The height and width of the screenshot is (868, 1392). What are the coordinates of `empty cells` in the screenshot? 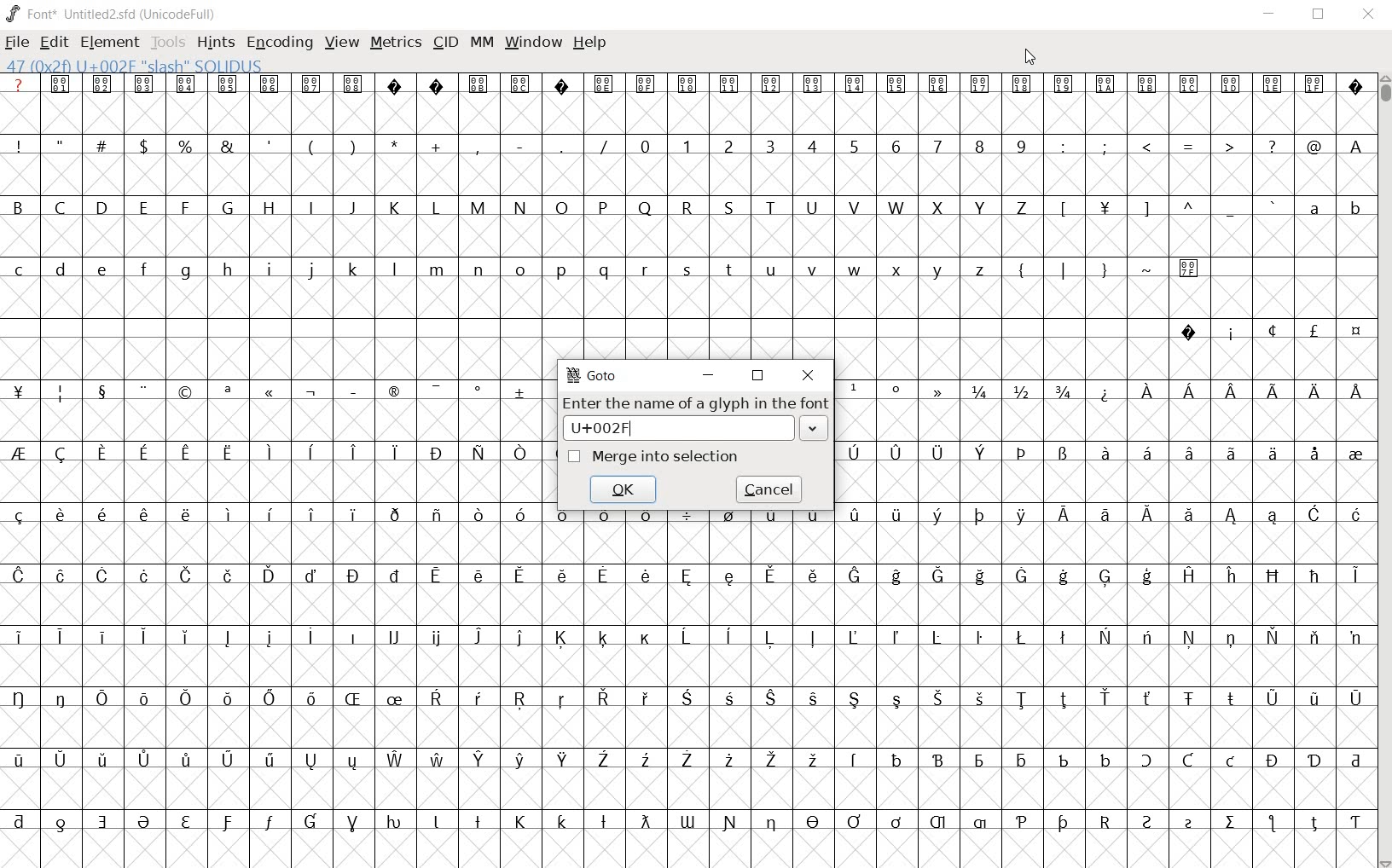 It's located at (688, 115).